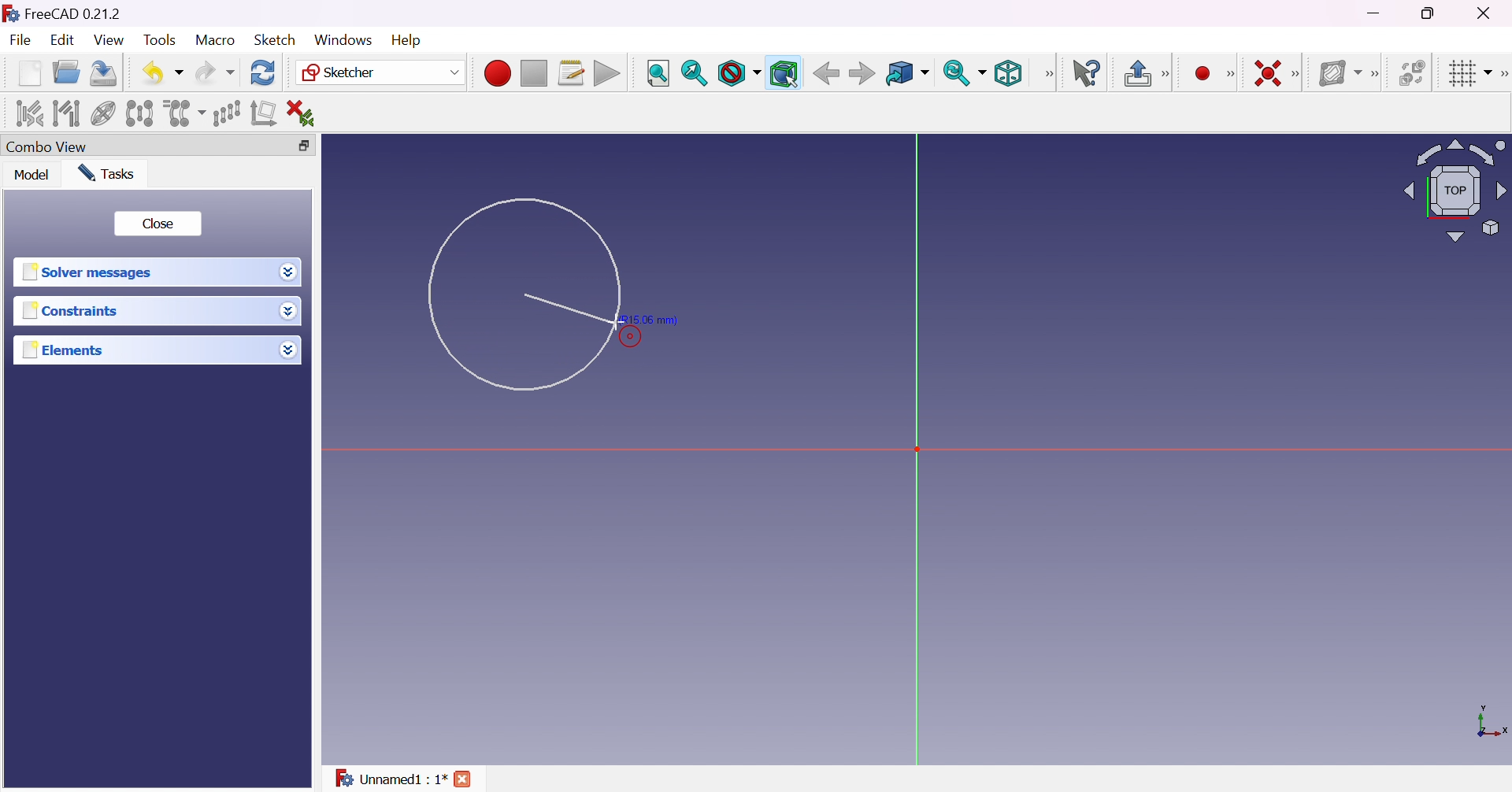 Image resolution: width=1512 pixels, height=792 pixels. Describe the element at coordinates (30, 72) in the screenshot. I see `New` at that location.